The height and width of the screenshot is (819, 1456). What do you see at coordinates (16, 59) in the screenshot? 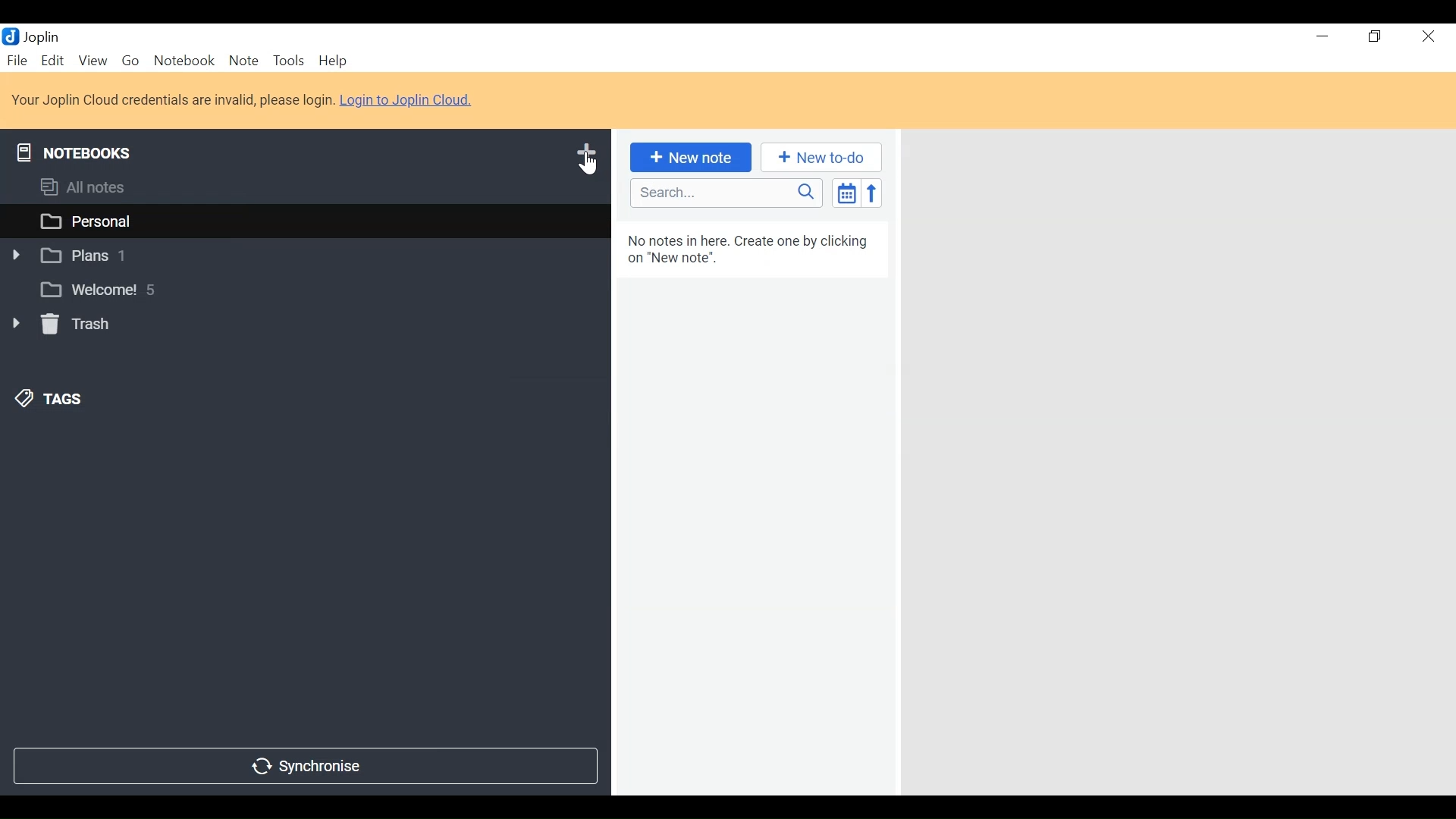
I see `File` at bounding box center [16, 59].